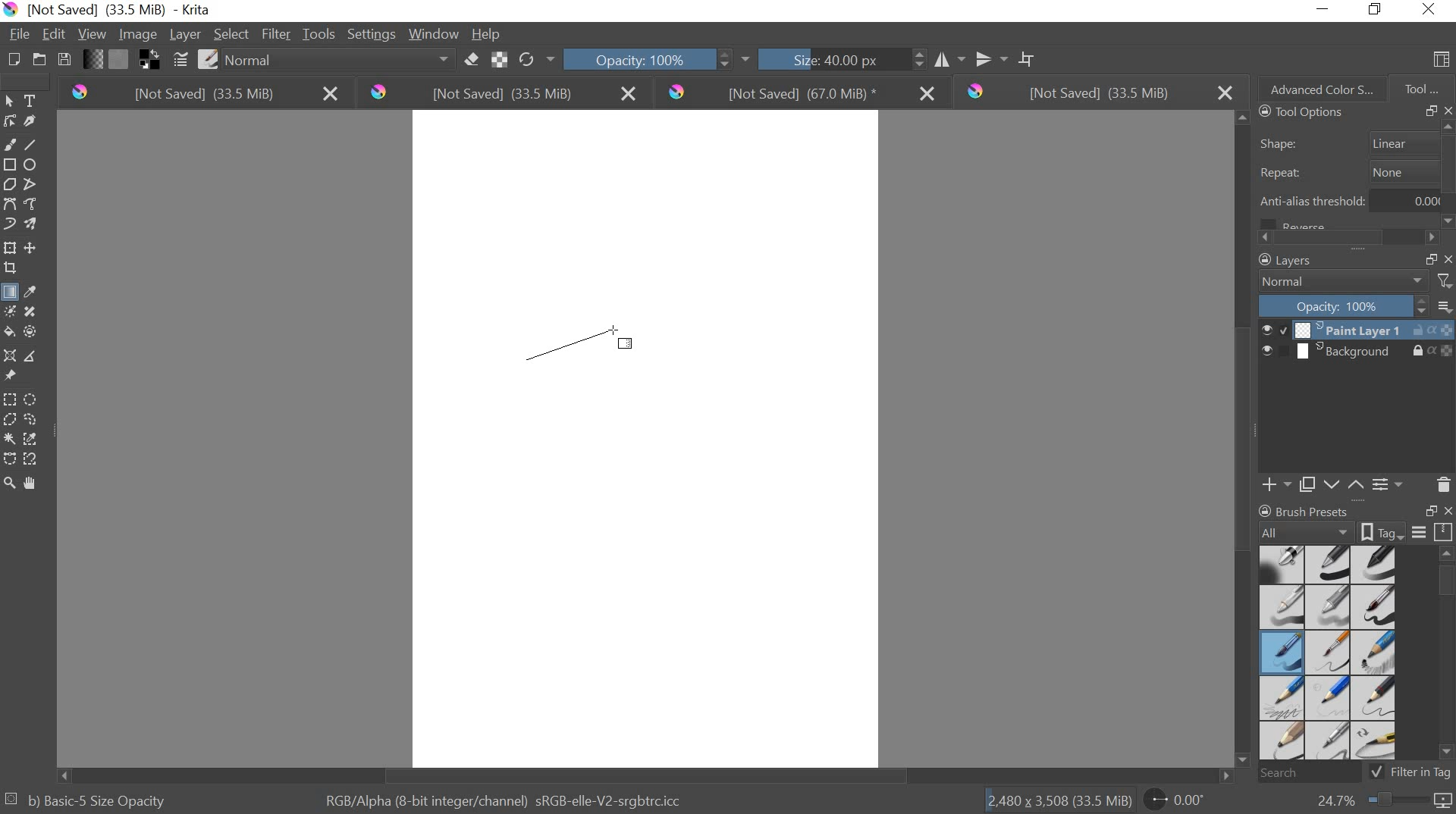 The width and height of the screenshot is (1456, 814). Describe the element at coordinates (92, 799) in the screenshot. I see `b) basic 5 size opacity` at that location.